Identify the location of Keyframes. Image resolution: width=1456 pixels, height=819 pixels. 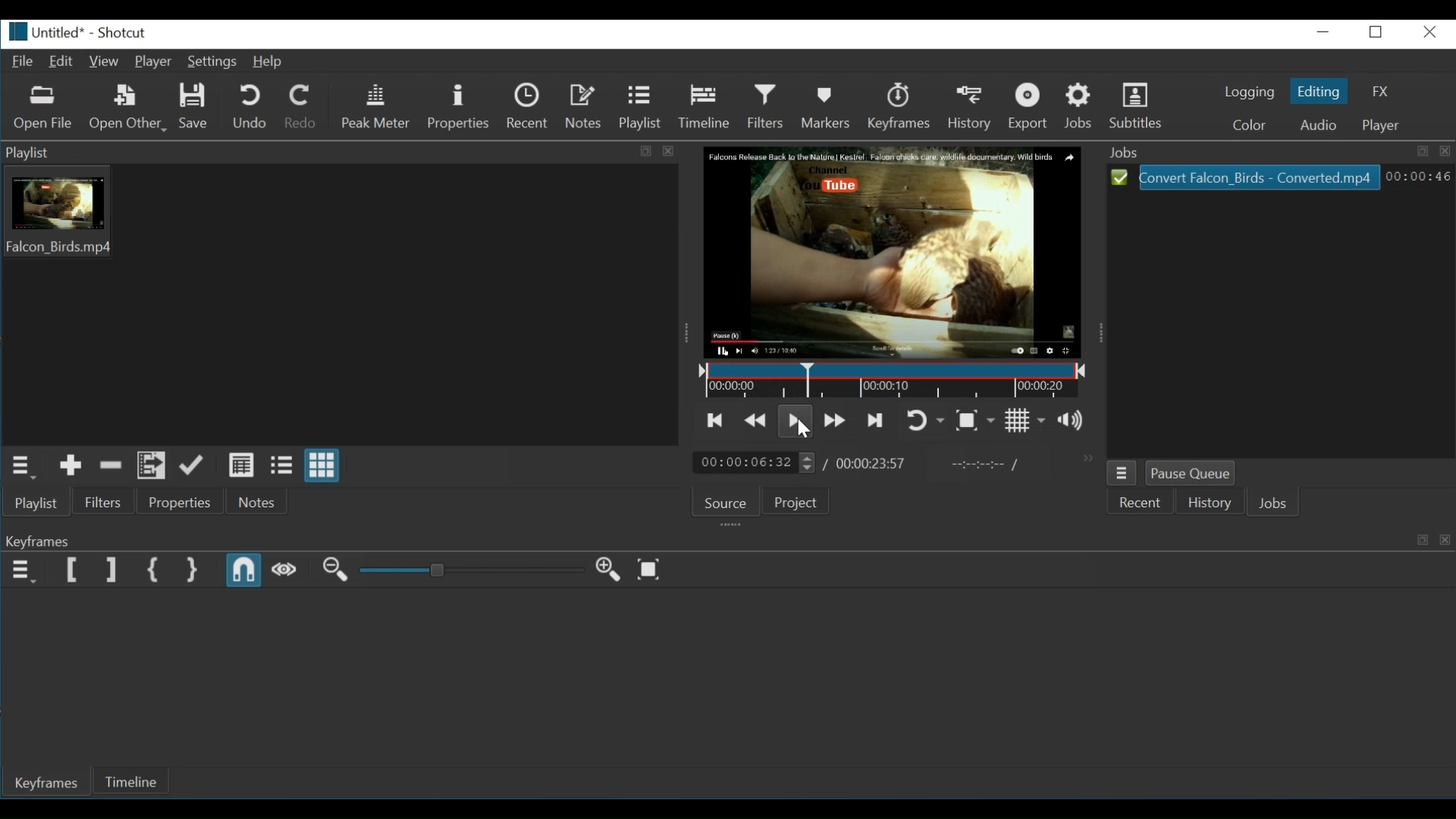
(49, 783).